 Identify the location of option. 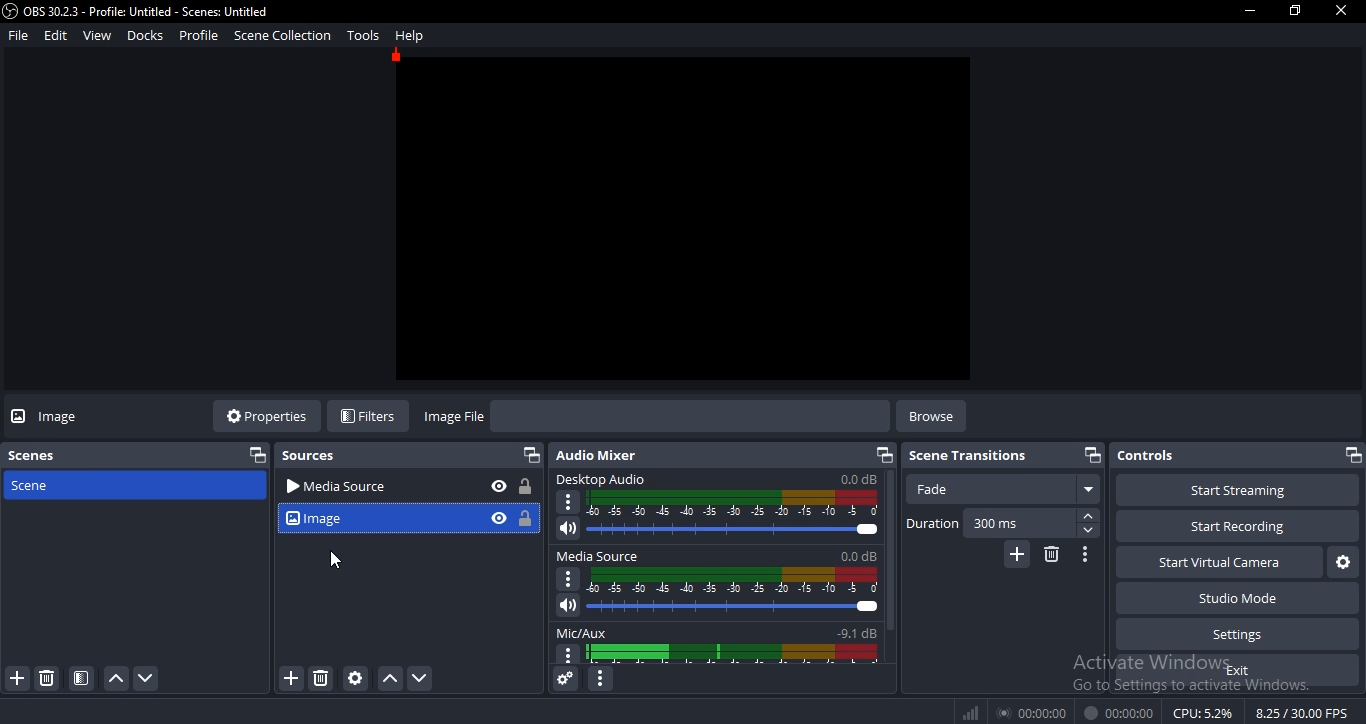
(569, 503).